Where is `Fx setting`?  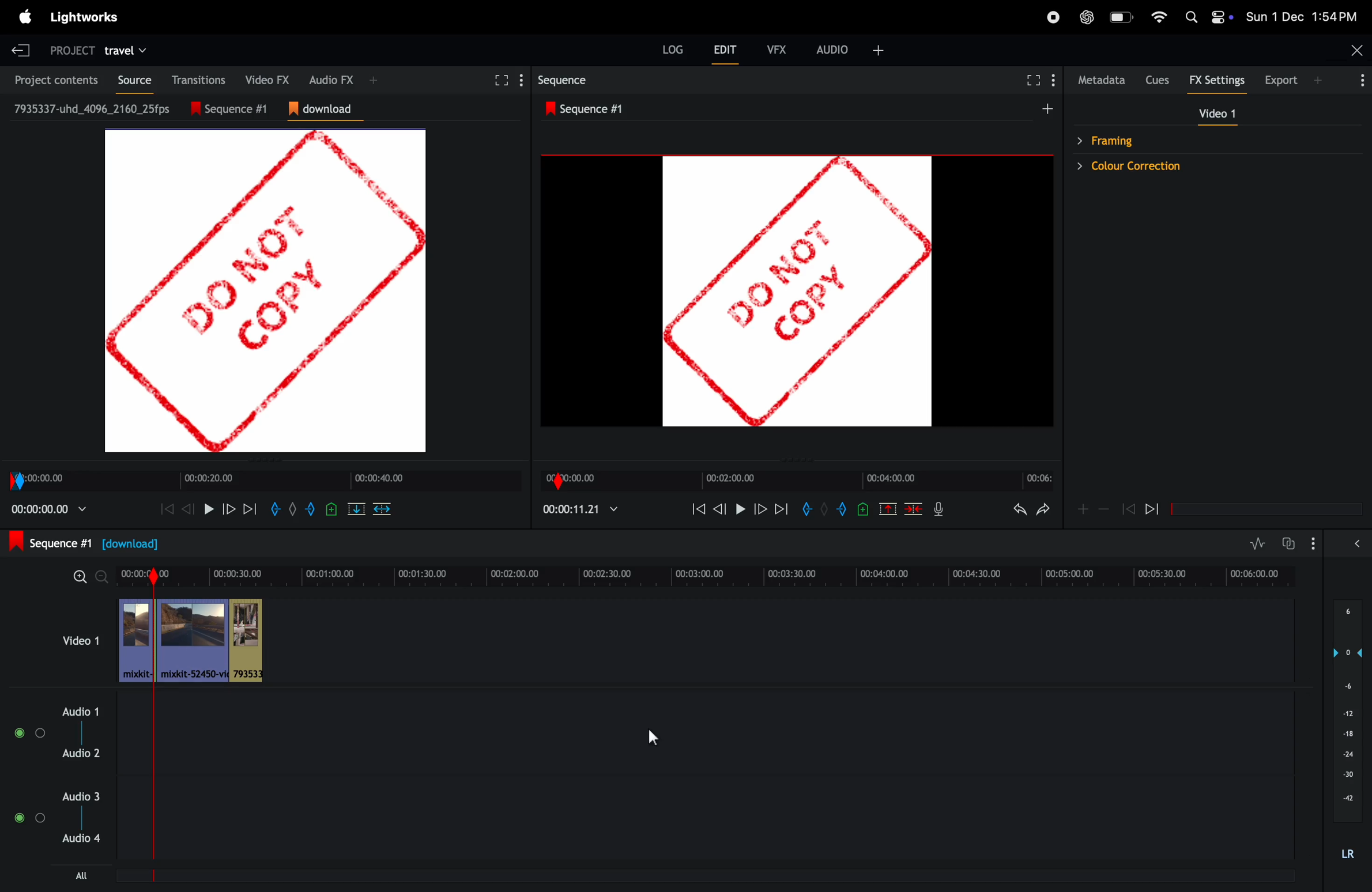
Fx setting is located at coordinates (1218, 80).